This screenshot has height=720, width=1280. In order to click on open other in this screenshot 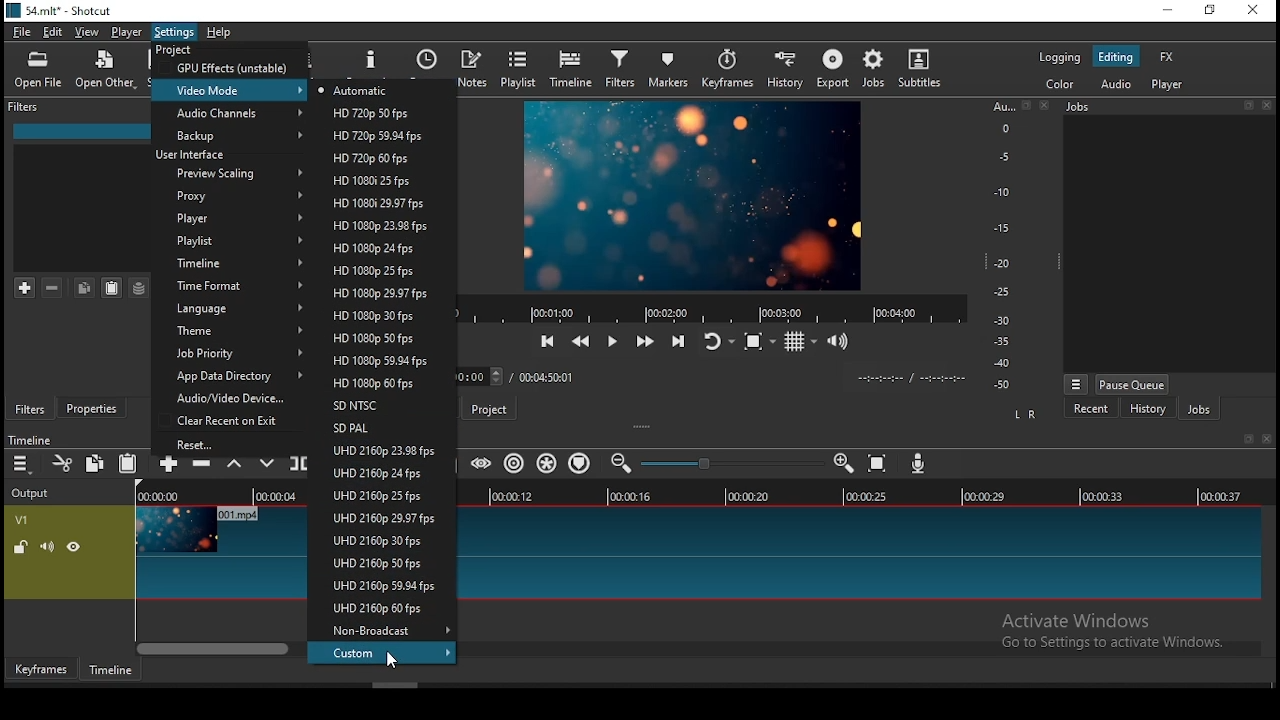, I will do `click(105, 75)`.